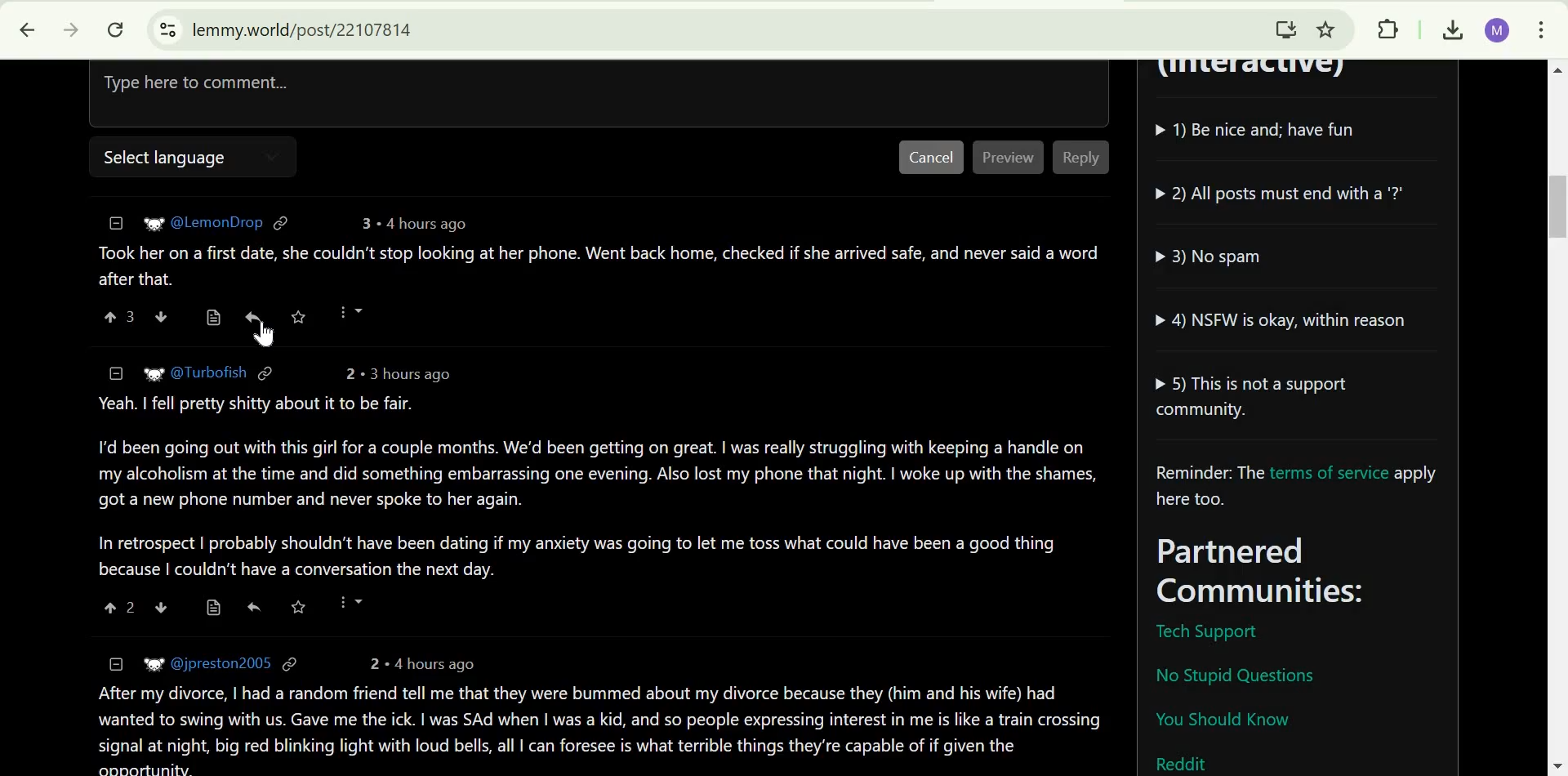  Describe the element at coordinates (370, 664) in the screenshot. I see `2 points` at that location.